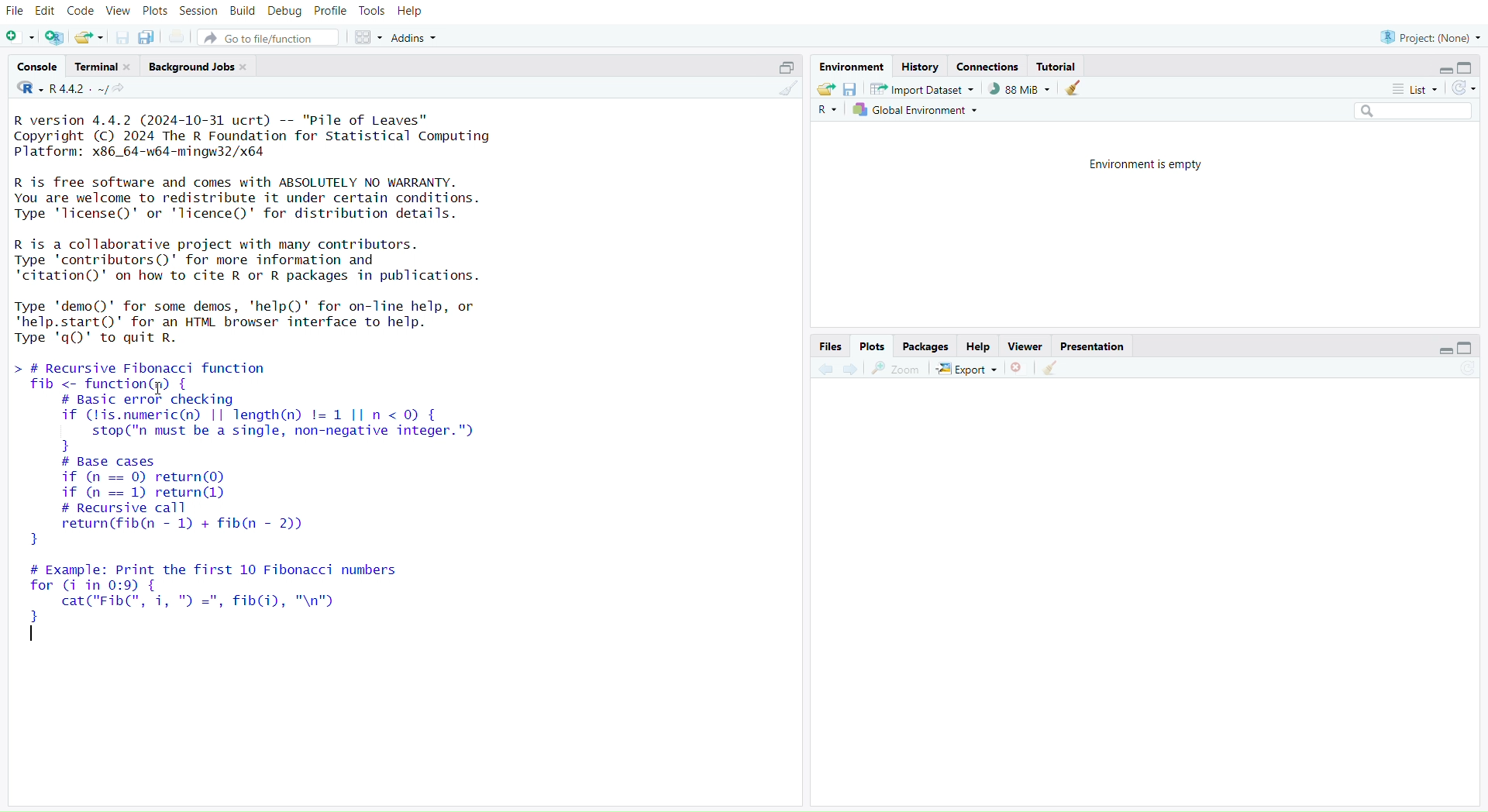 The image size is (1488, 812). I want to click on R version 4.4.2 (2024-10-31 ucrt) -- "Pile of Leaves"
Copyright (C) 2024 The R Foundation for Statistical Computing
Platform: x86_64-w64-mingw32/x64
R is free software and comes with ABSOLUTELY NO WARRANTY.
You are welcome to redistribute it under certain conditions.
Type 'license()' or 'Ticence()' for distribution details.
R is a collaborative project with many contributors.
Type 'contributors()' for more information and
'citation()' on how to cite R or R packages in publications.
Type 'demo()' for some demos, 'help()' for on-line help, or
'help.start()' for an HTML browser interface to help.
Type 'qQ)' to quit R.
>

I, so click(264, 229).